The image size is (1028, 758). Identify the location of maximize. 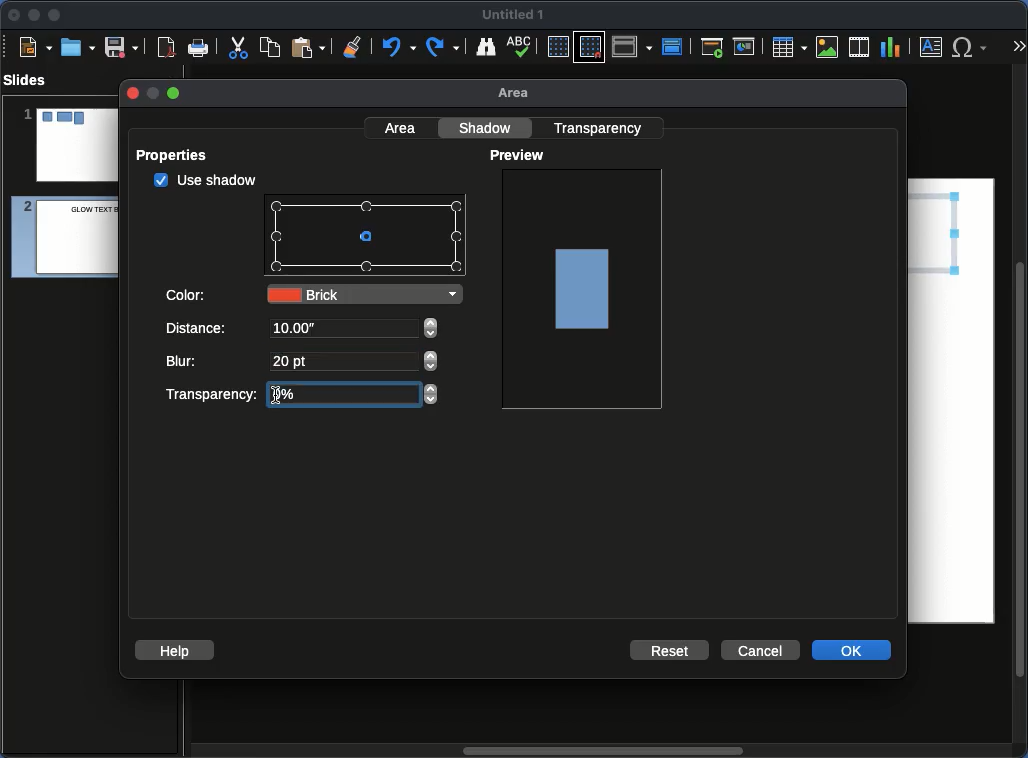
(175, 94).